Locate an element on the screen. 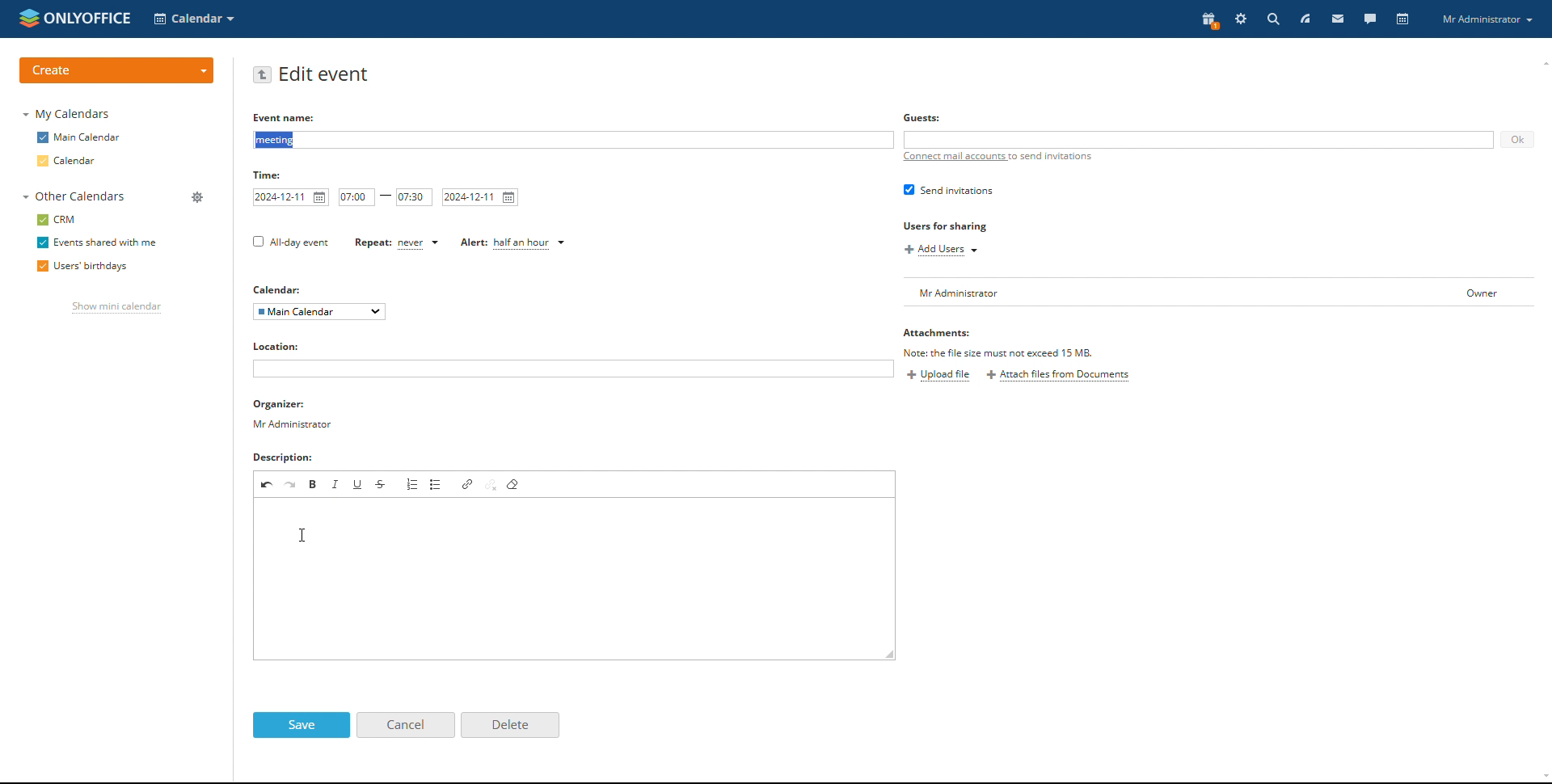 The width and height of the screenshot is (1552, 784). add users is located at coordinates (941, 250).